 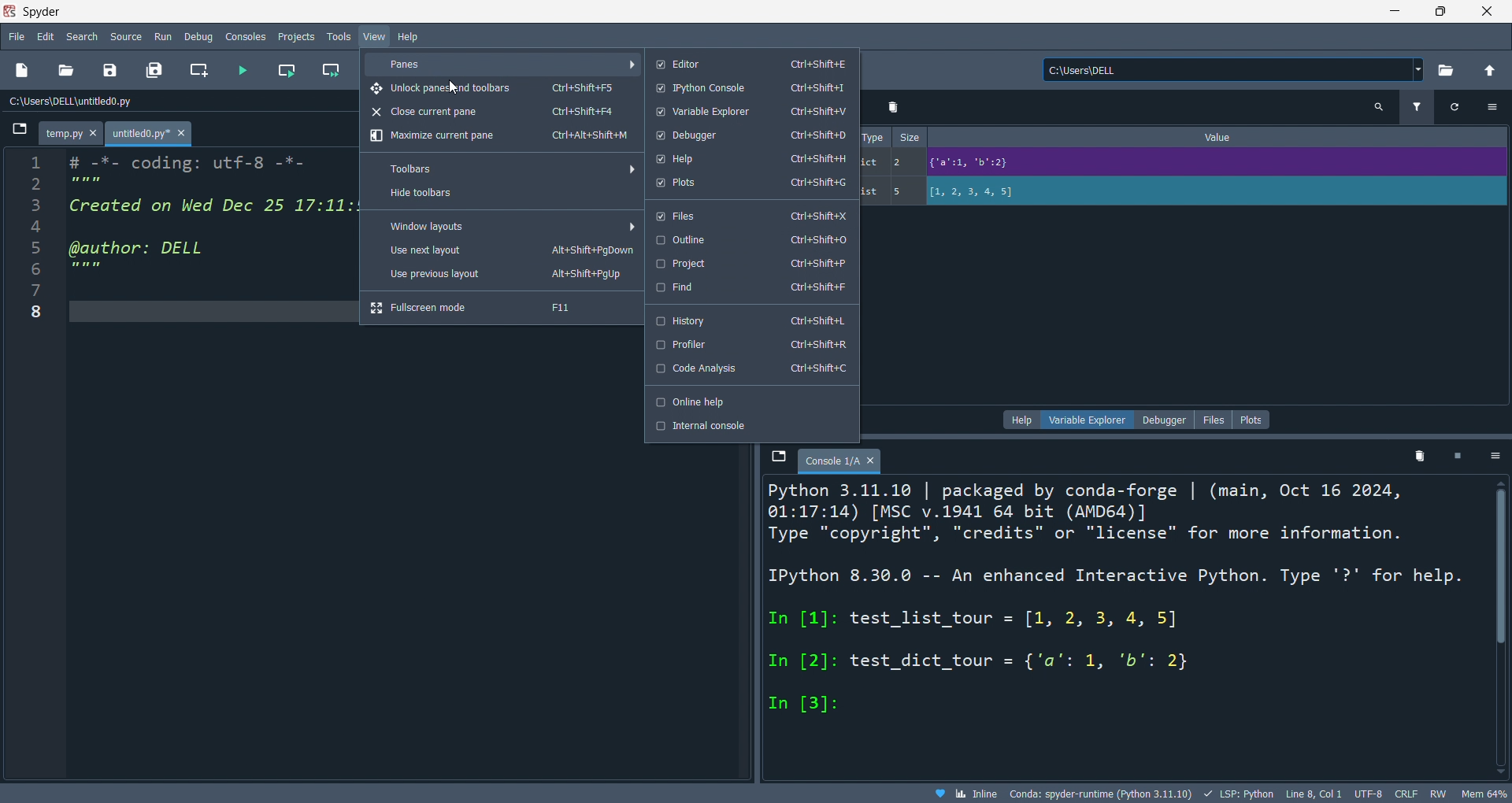 I want to click on size, so click(x=910, y=138).